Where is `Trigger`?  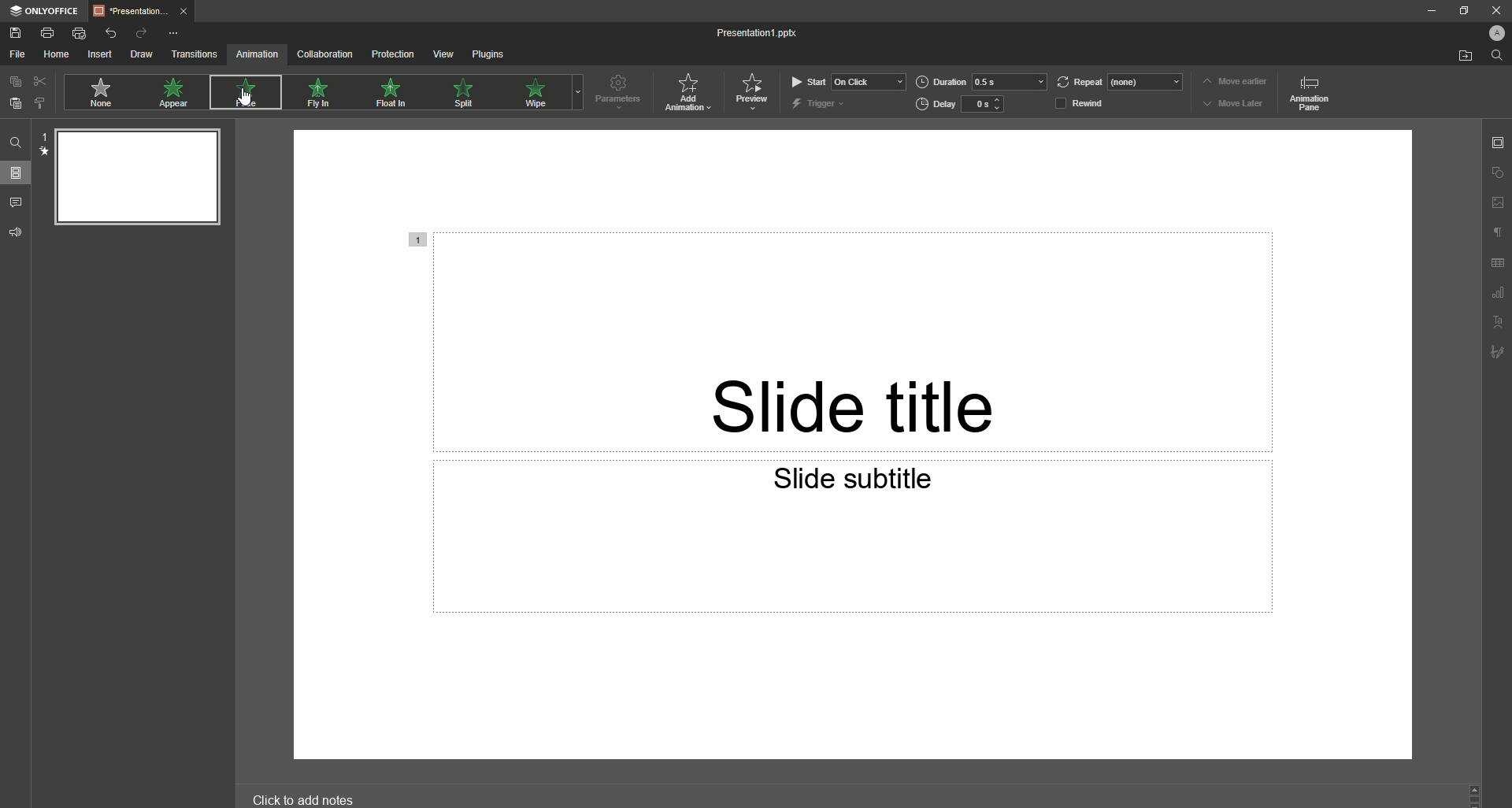 Trigger is located at coordinates (820, 103).